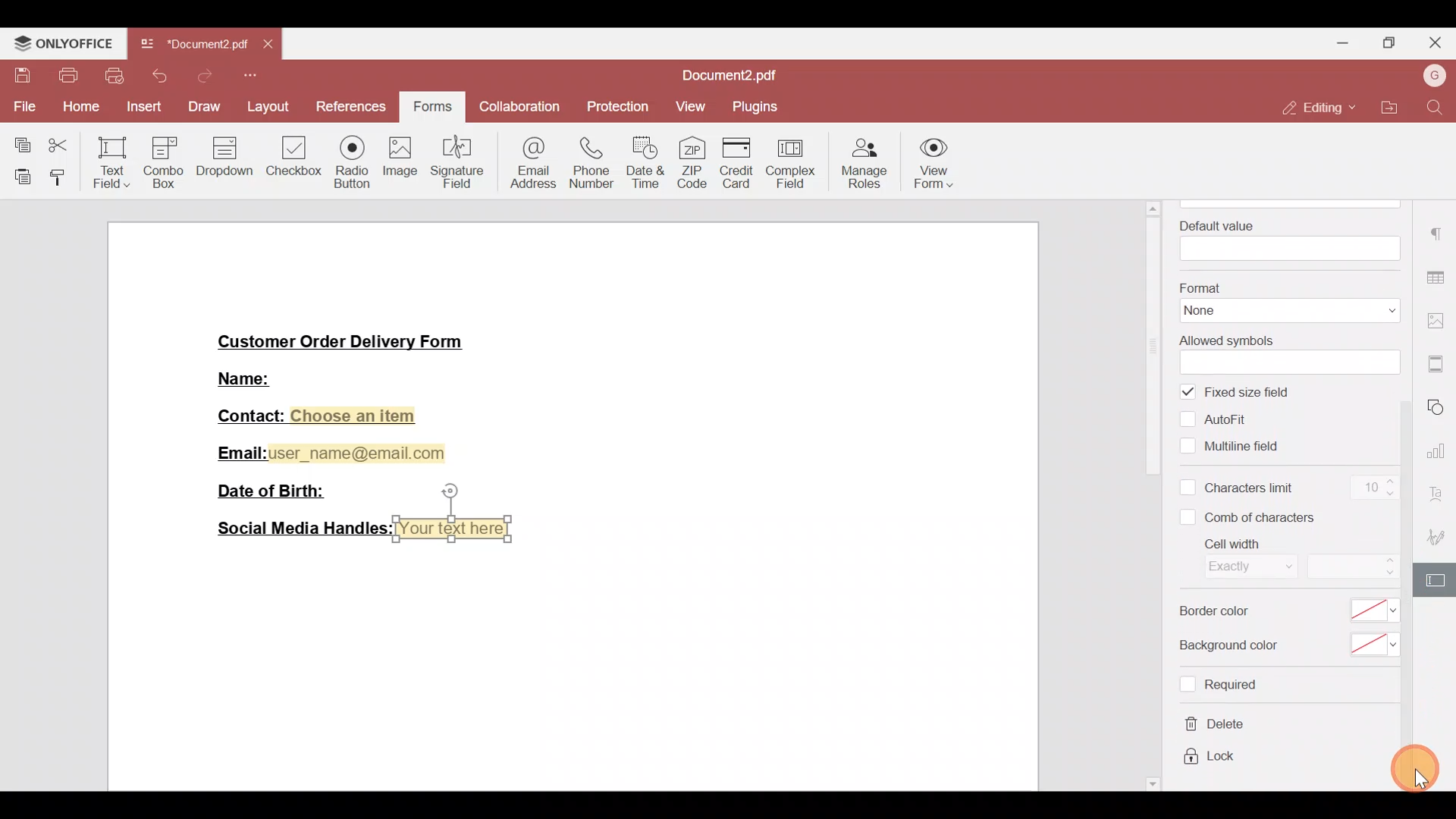 Image resolution: width=1456 pixels, height=819 pixels. I want to click on Character limit count, so click(1370, 489).